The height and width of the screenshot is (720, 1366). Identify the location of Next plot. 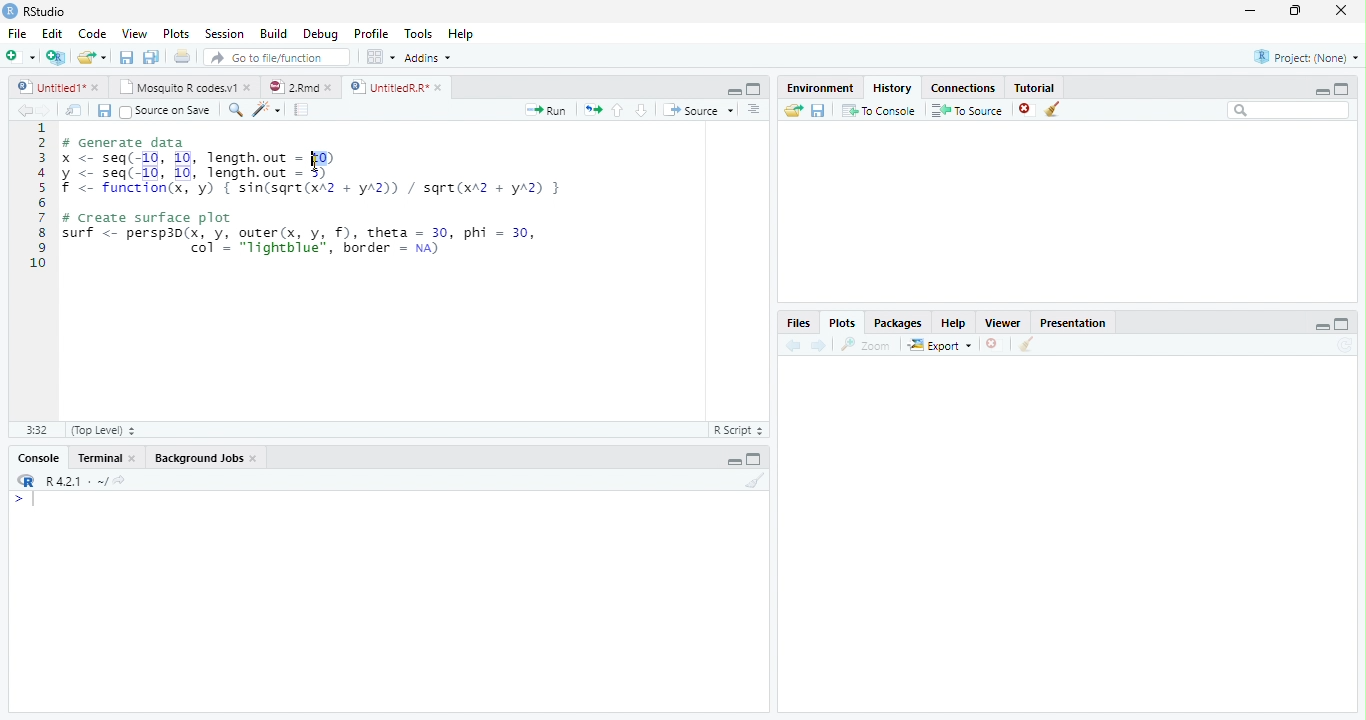
(819, 345).